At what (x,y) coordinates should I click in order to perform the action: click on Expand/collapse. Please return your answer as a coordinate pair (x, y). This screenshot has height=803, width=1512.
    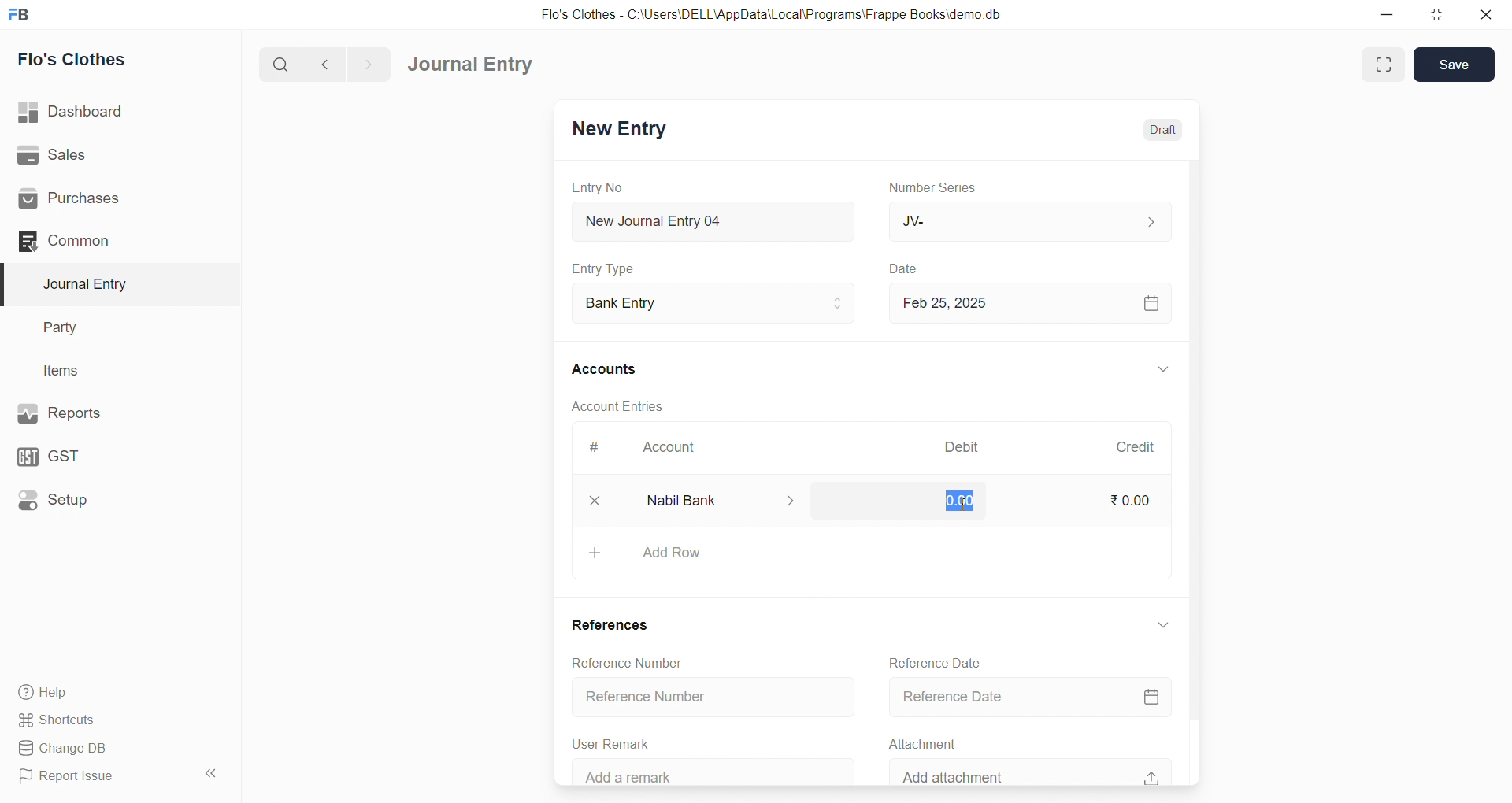
    Looking at the image, I should click on (1154, 624).